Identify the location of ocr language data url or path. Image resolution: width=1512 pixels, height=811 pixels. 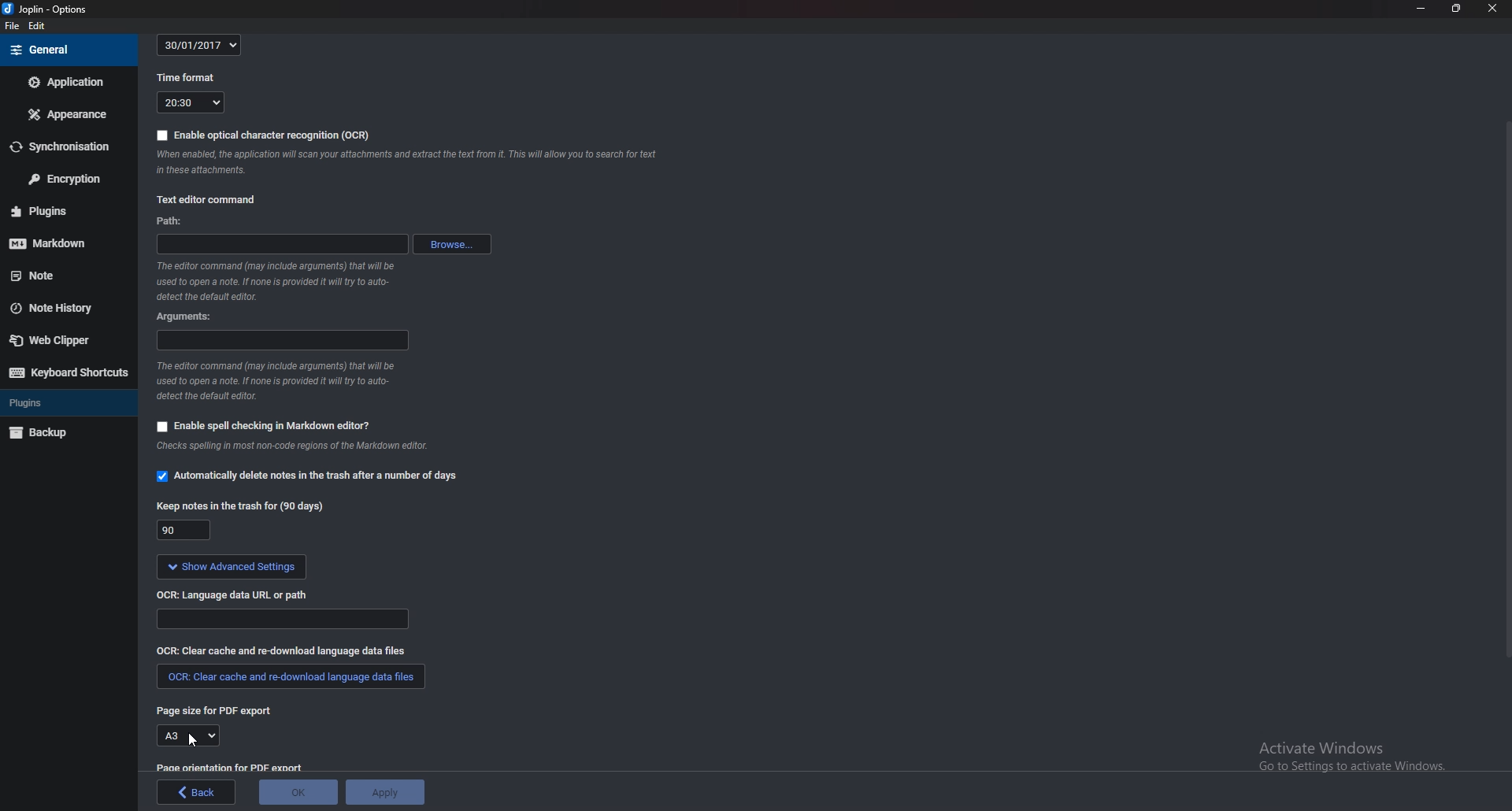
(232, 594).